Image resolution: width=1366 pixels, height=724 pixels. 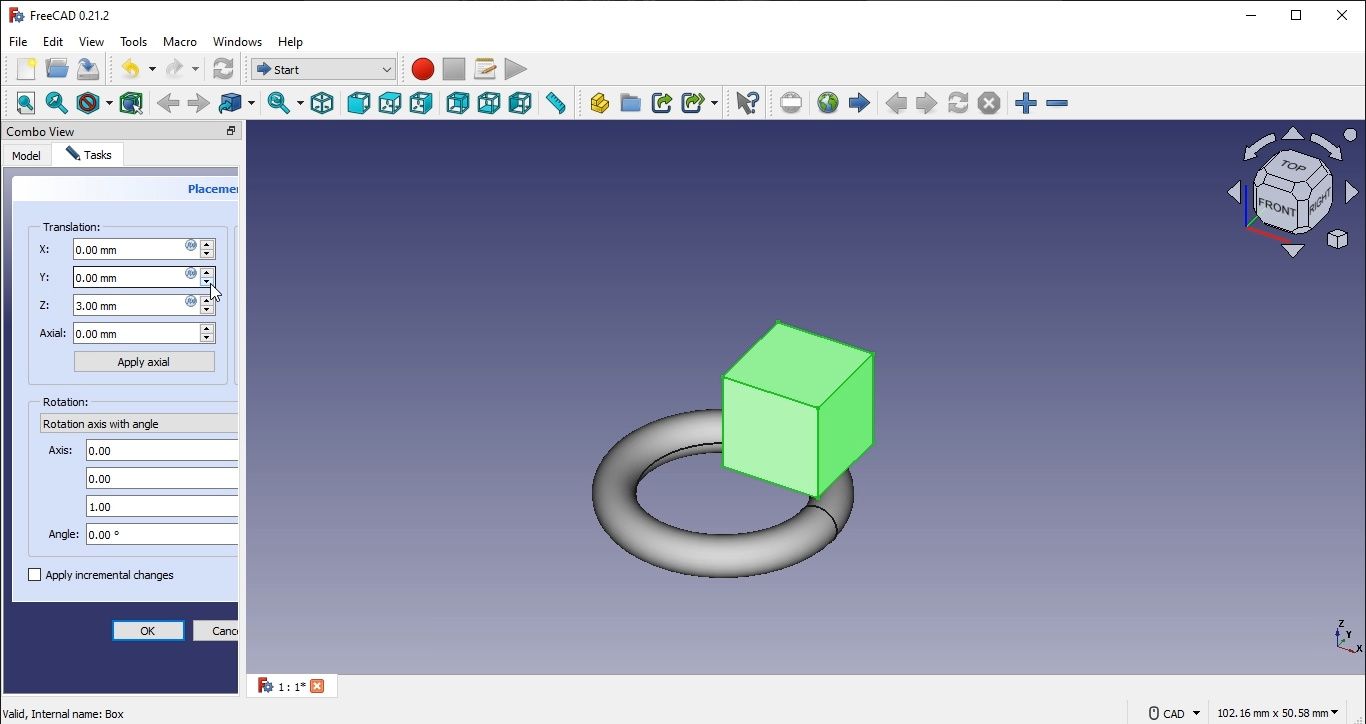 What do you see at coordinates (230, 131) in the screenshot?
I see `close` at bounding box center [230, 131].